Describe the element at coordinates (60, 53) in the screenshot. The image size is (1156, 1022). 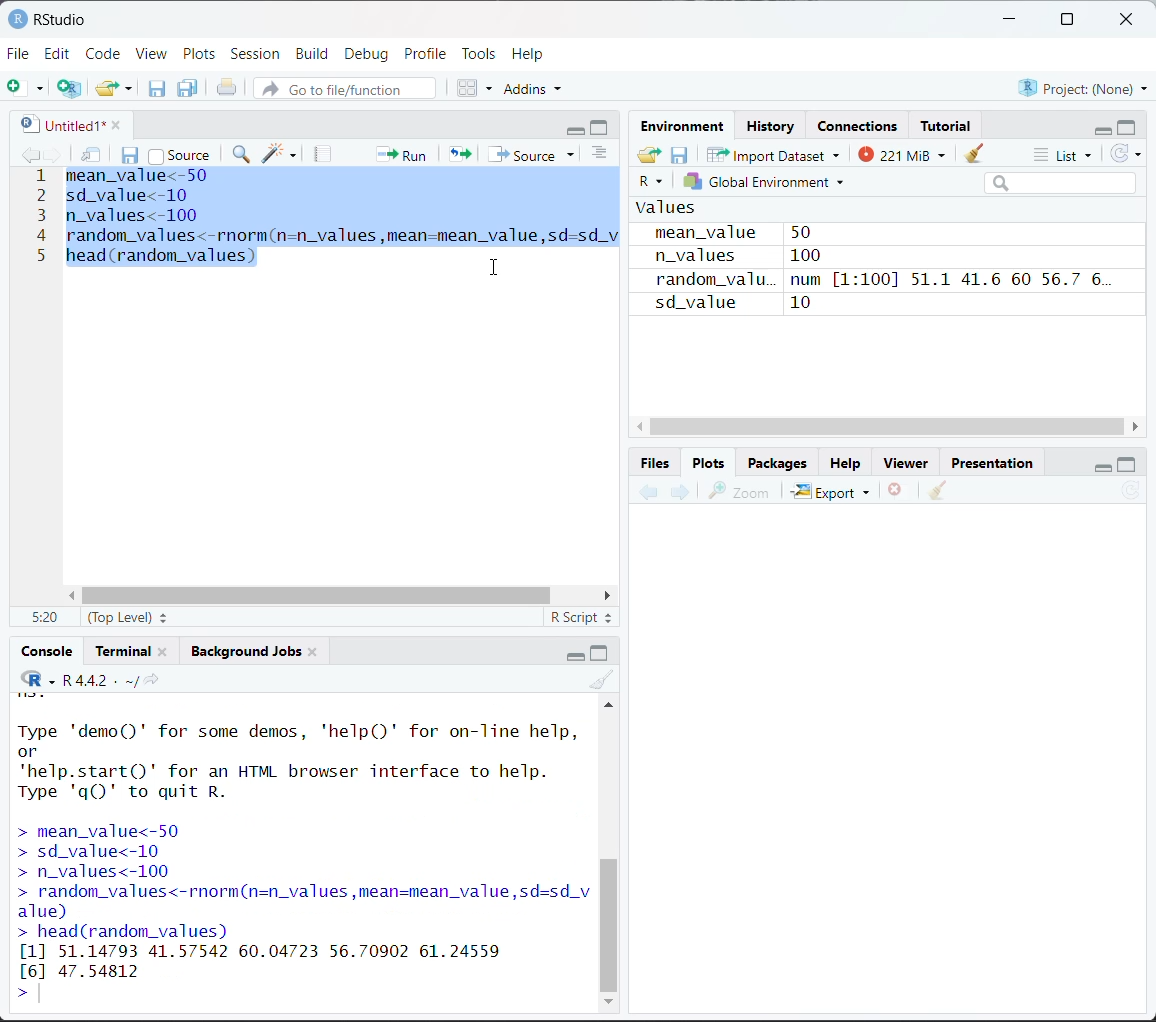
I see `Edit` at that location.